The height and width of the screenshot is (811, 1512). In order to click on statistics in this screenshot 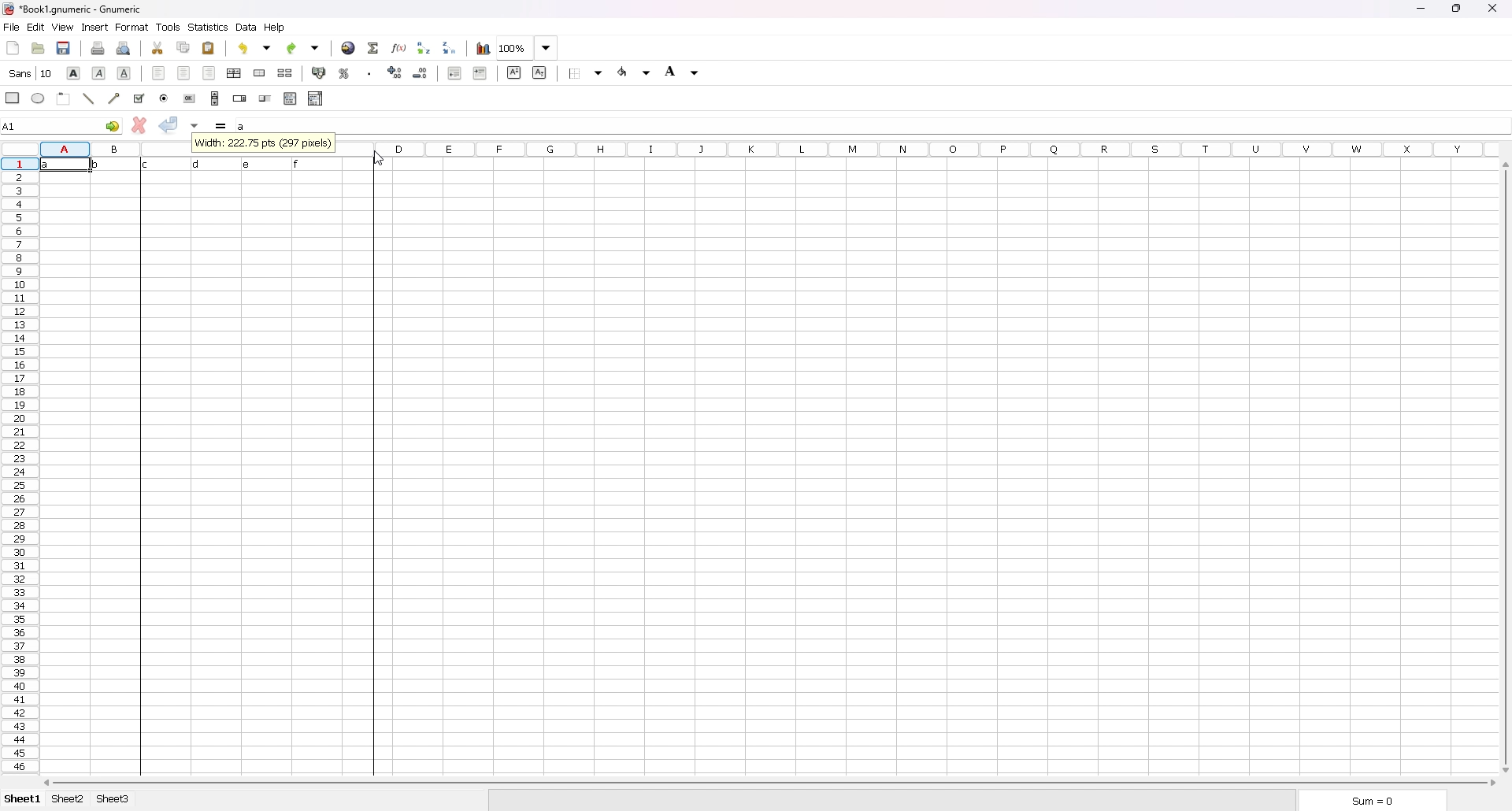, I will do `click(209, 27)`.